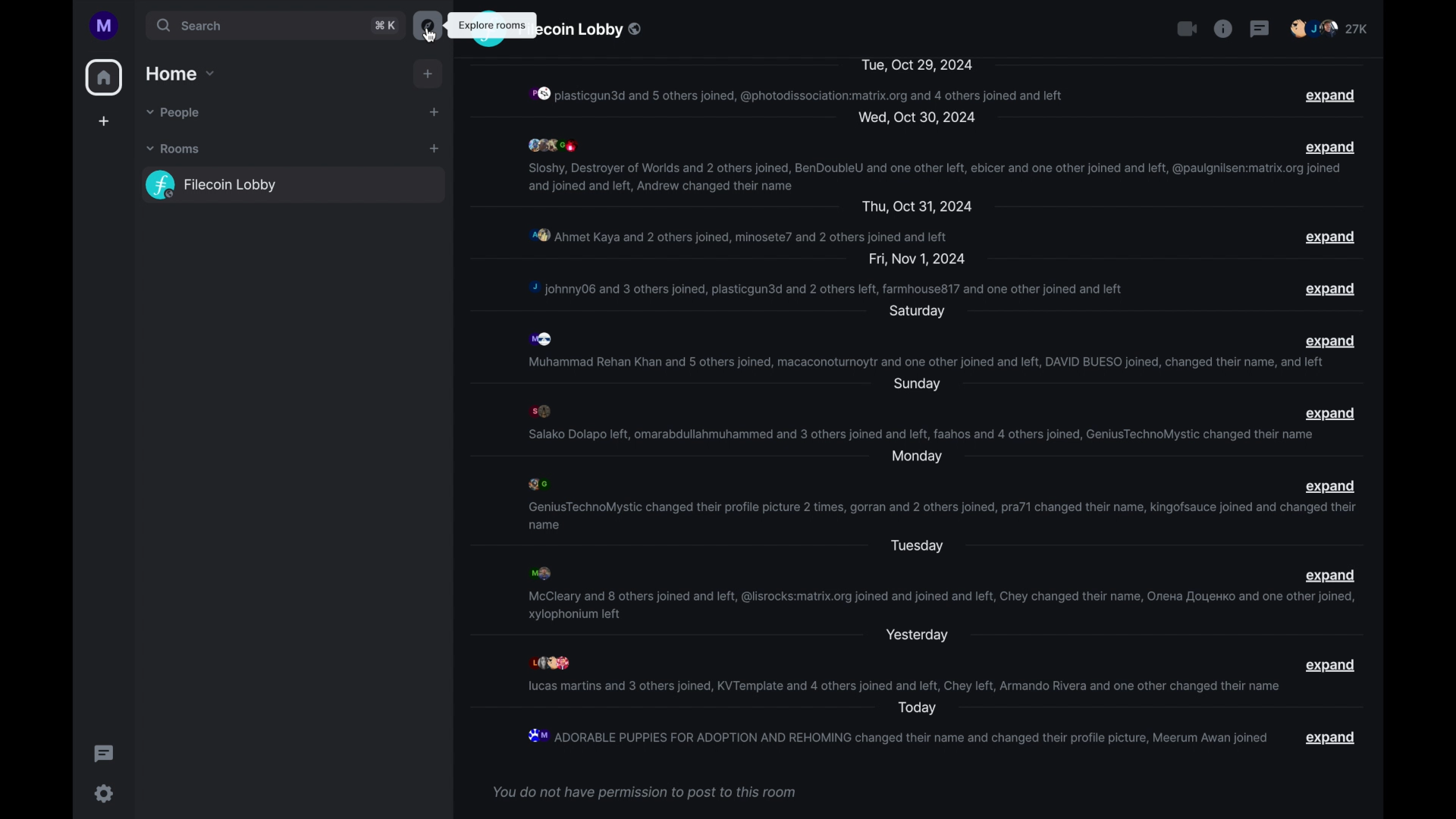 The width and height of the screenshot is (1456, 819). Describe the element at coordinates (434, 149) in the screenshot. I see `add room` at that location.